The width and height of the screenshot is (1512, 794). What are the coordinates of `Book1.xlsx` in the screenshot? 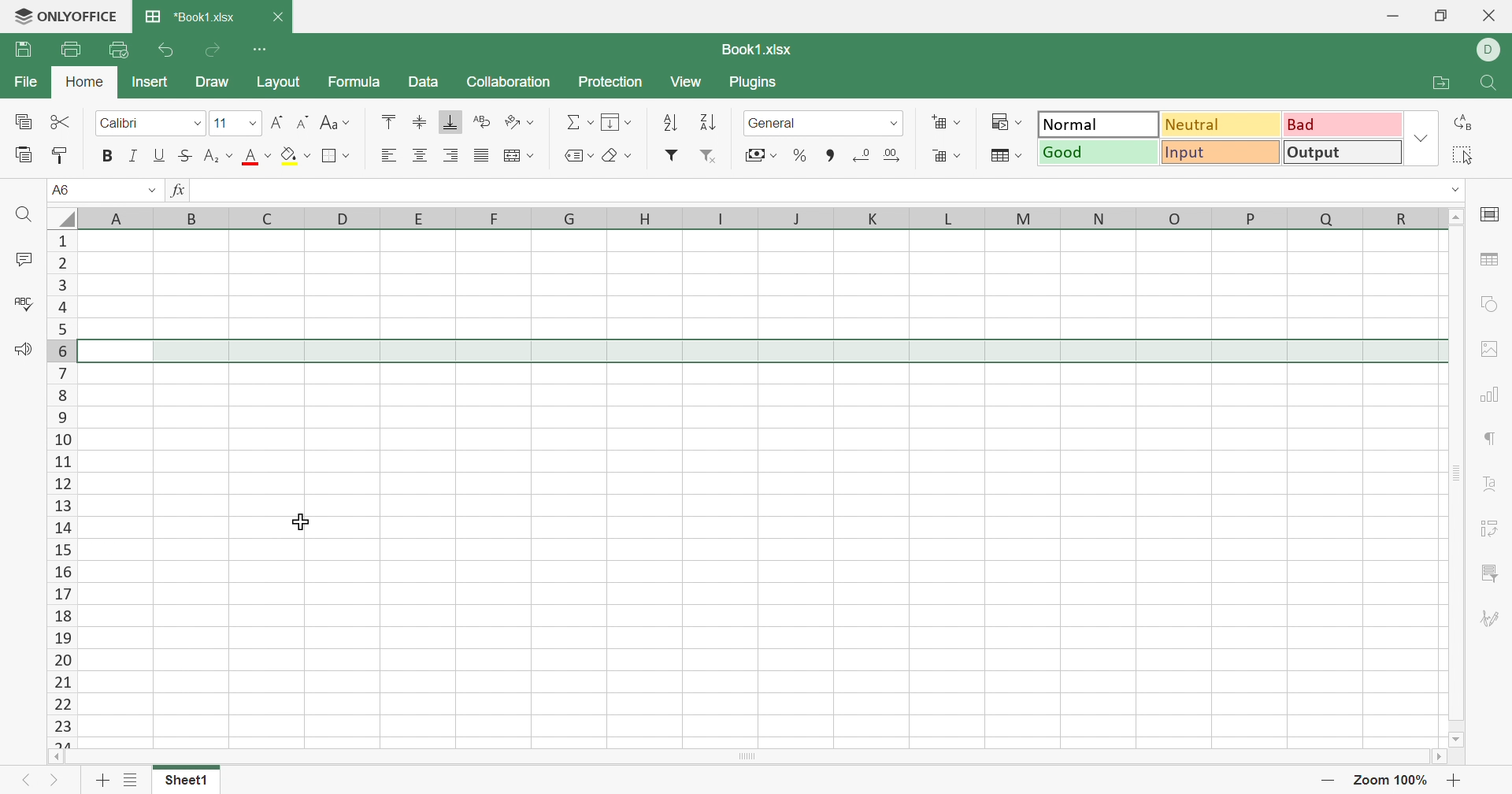 It's located at (762, 50).